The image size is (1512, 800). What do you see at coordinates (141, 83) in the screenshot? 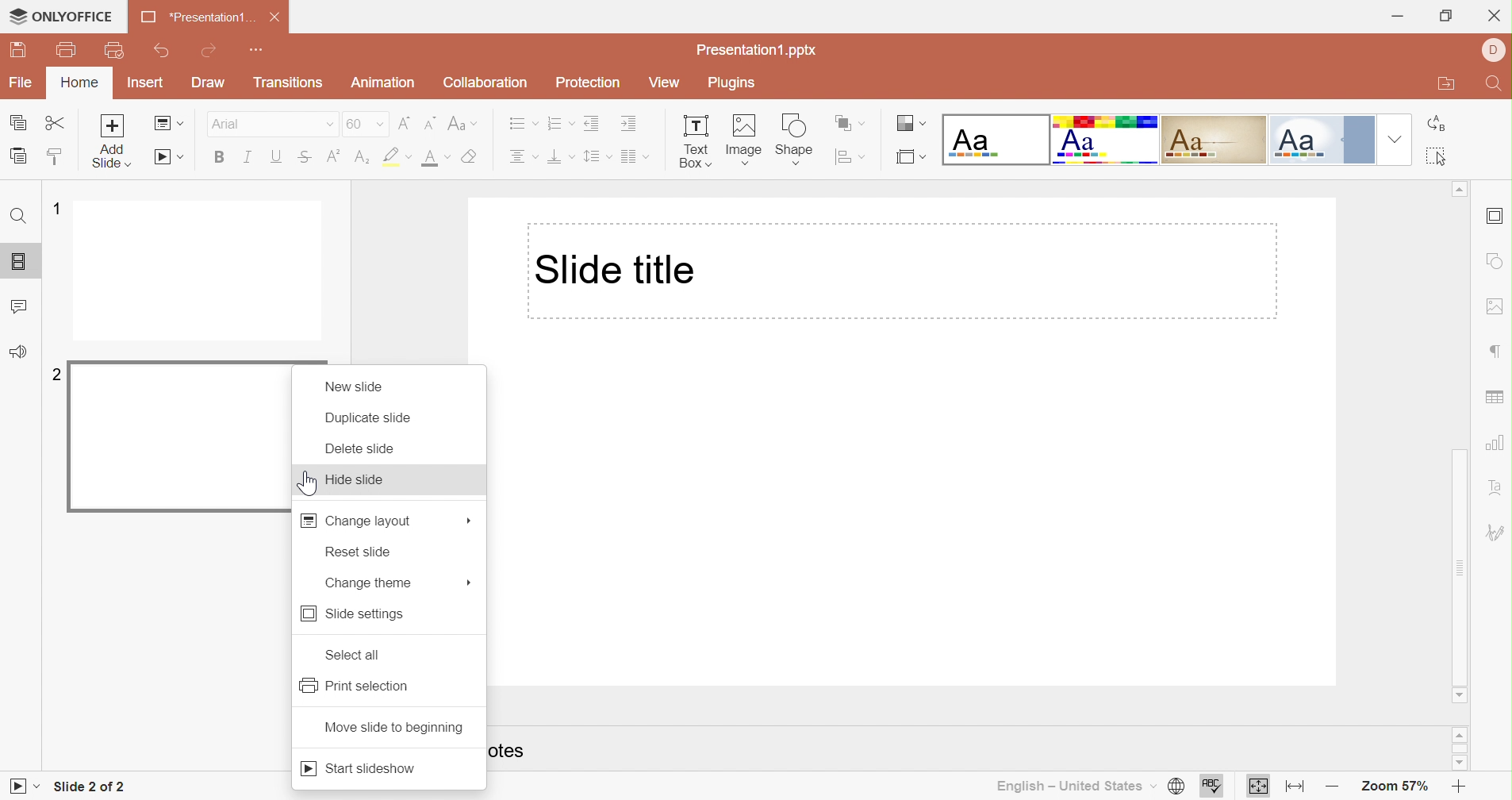
I see `Insert` at bounding box center [141, 83].